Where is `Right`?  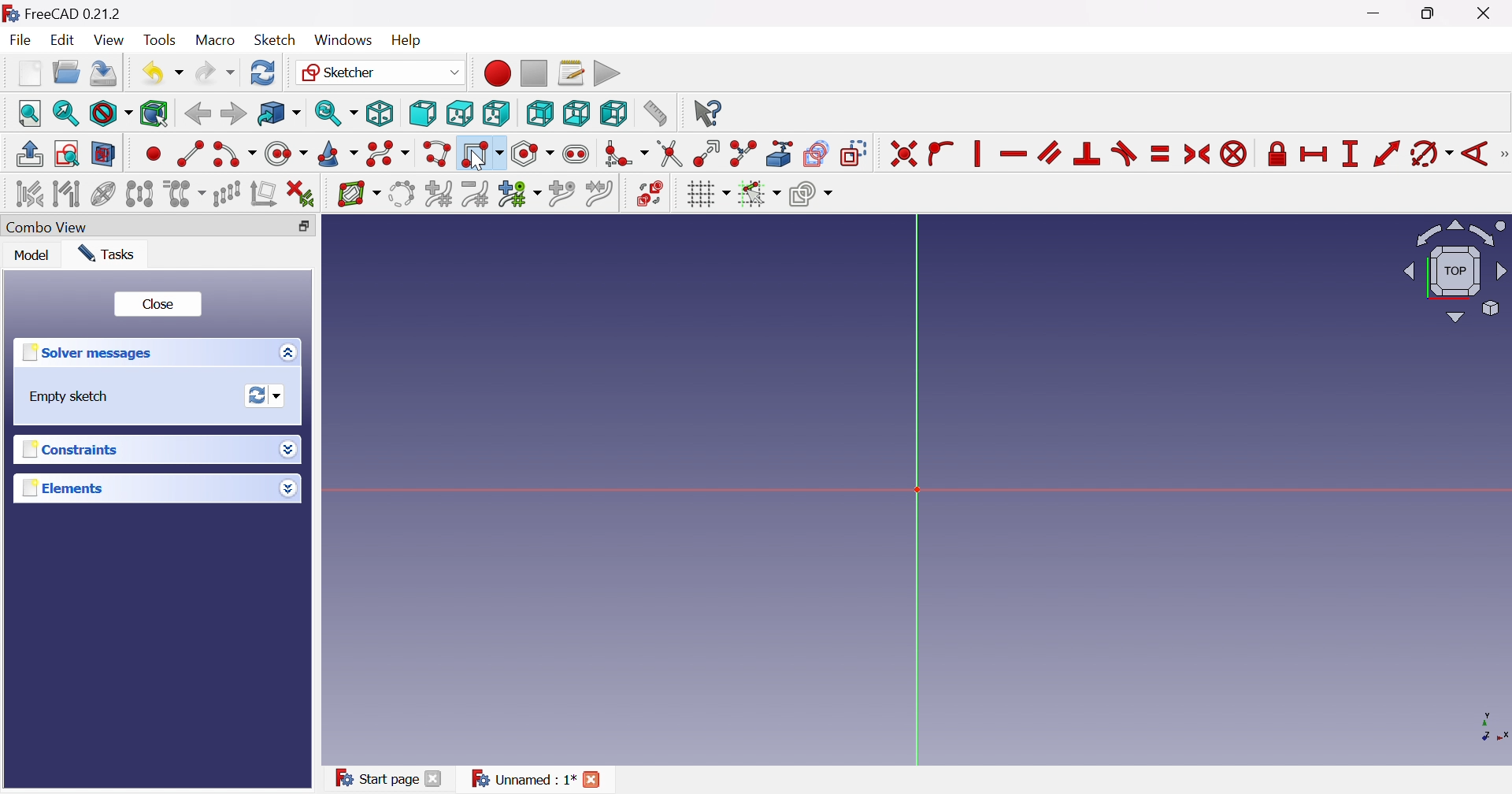
Right is located at coordinates (495, 113).